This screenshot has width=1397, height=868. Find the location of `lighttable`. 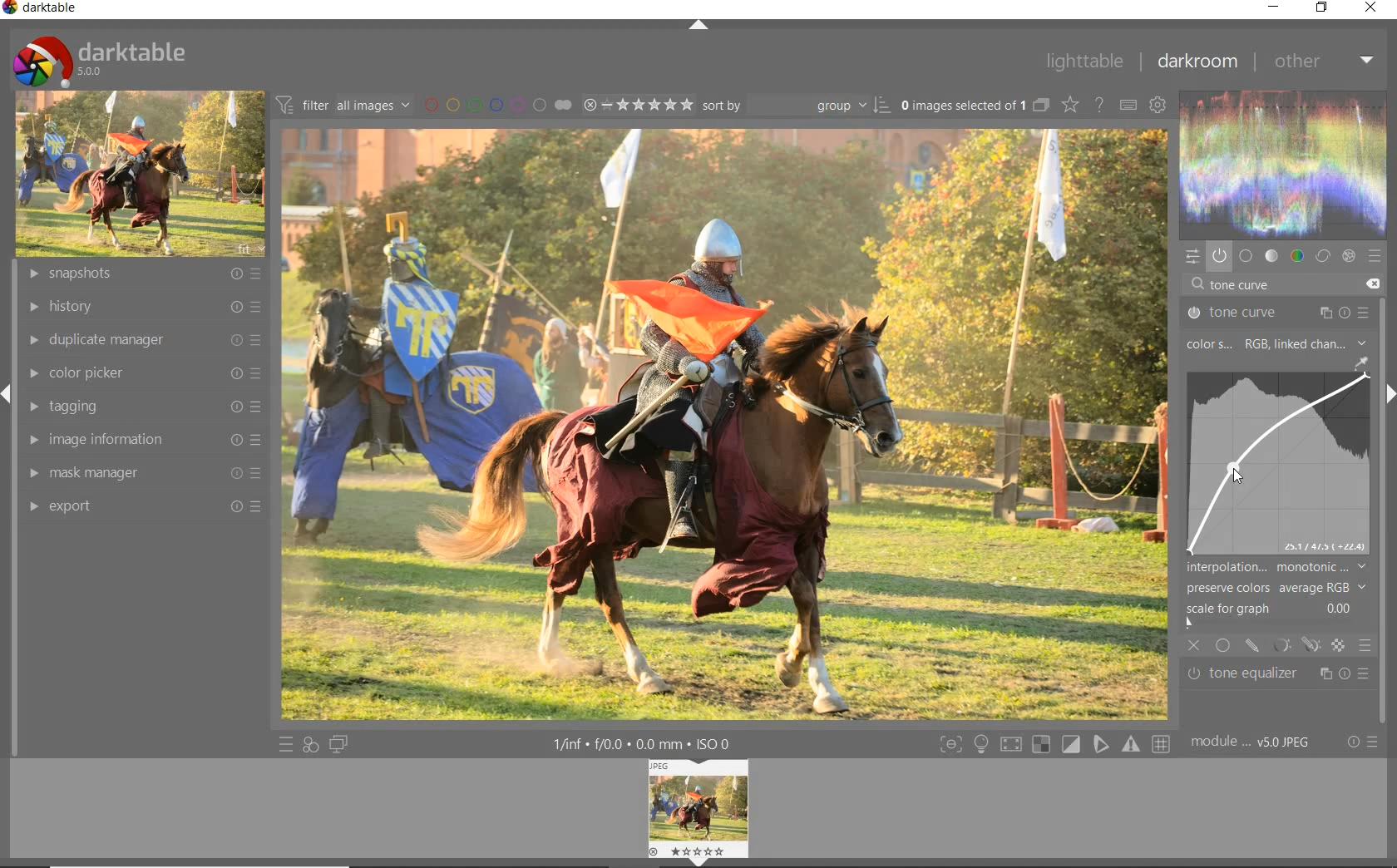

lighttable is located at coordinates (1084, 62).